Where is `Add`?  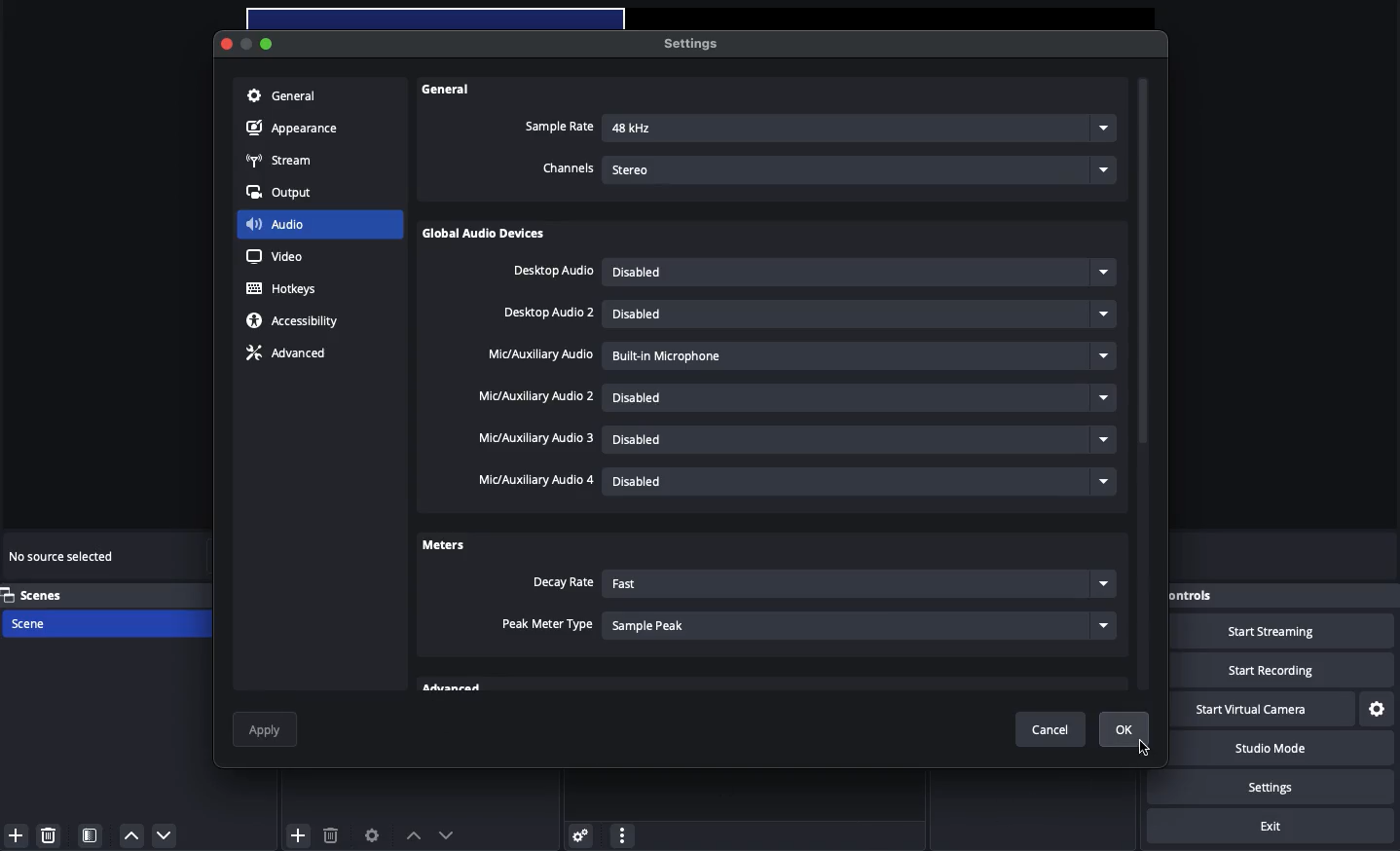 Add is located at coordinates (16, 835).